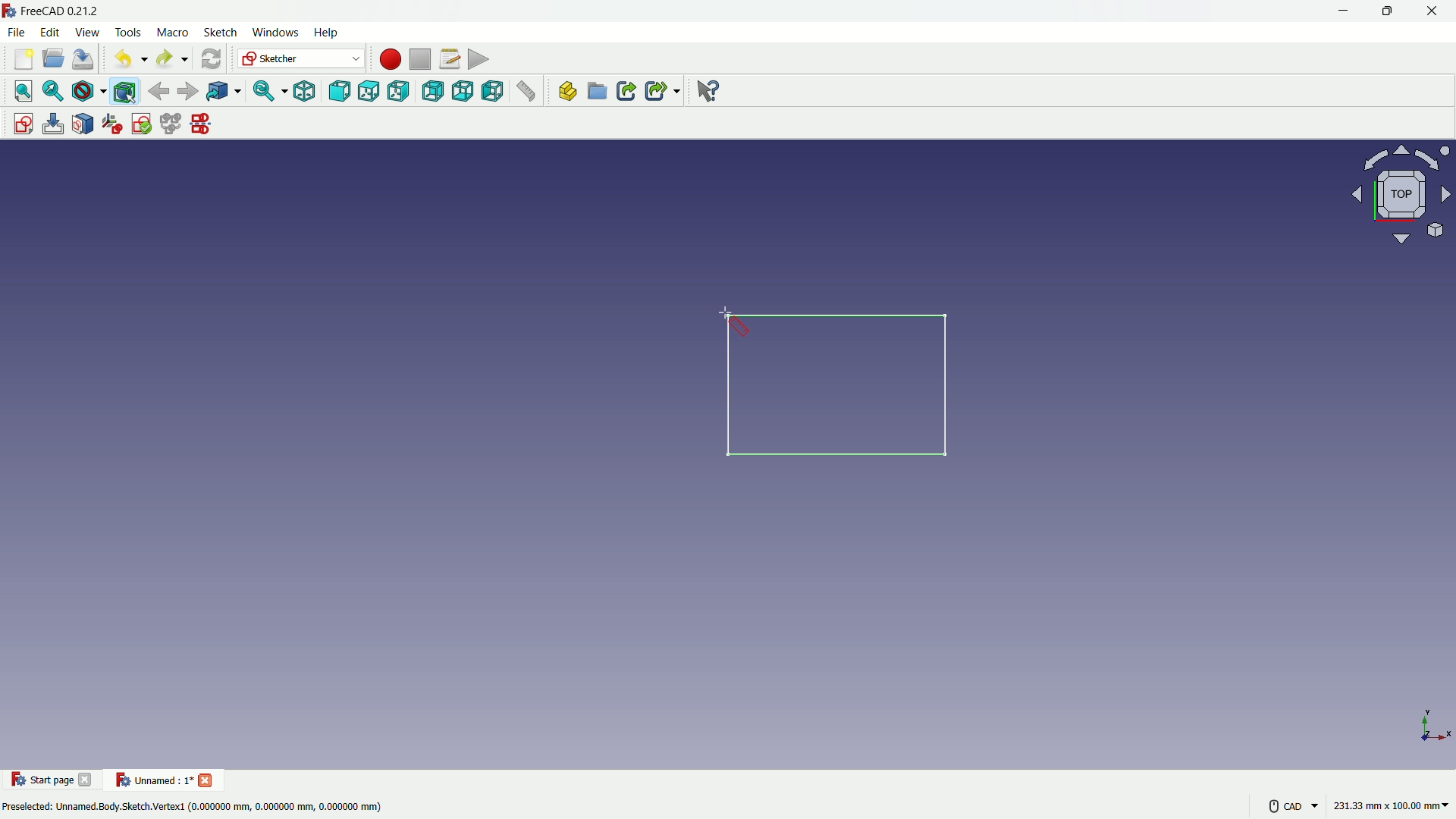 The width and height of the screenshot is (1456, 819). I want to click on redo, so click(170, 59).